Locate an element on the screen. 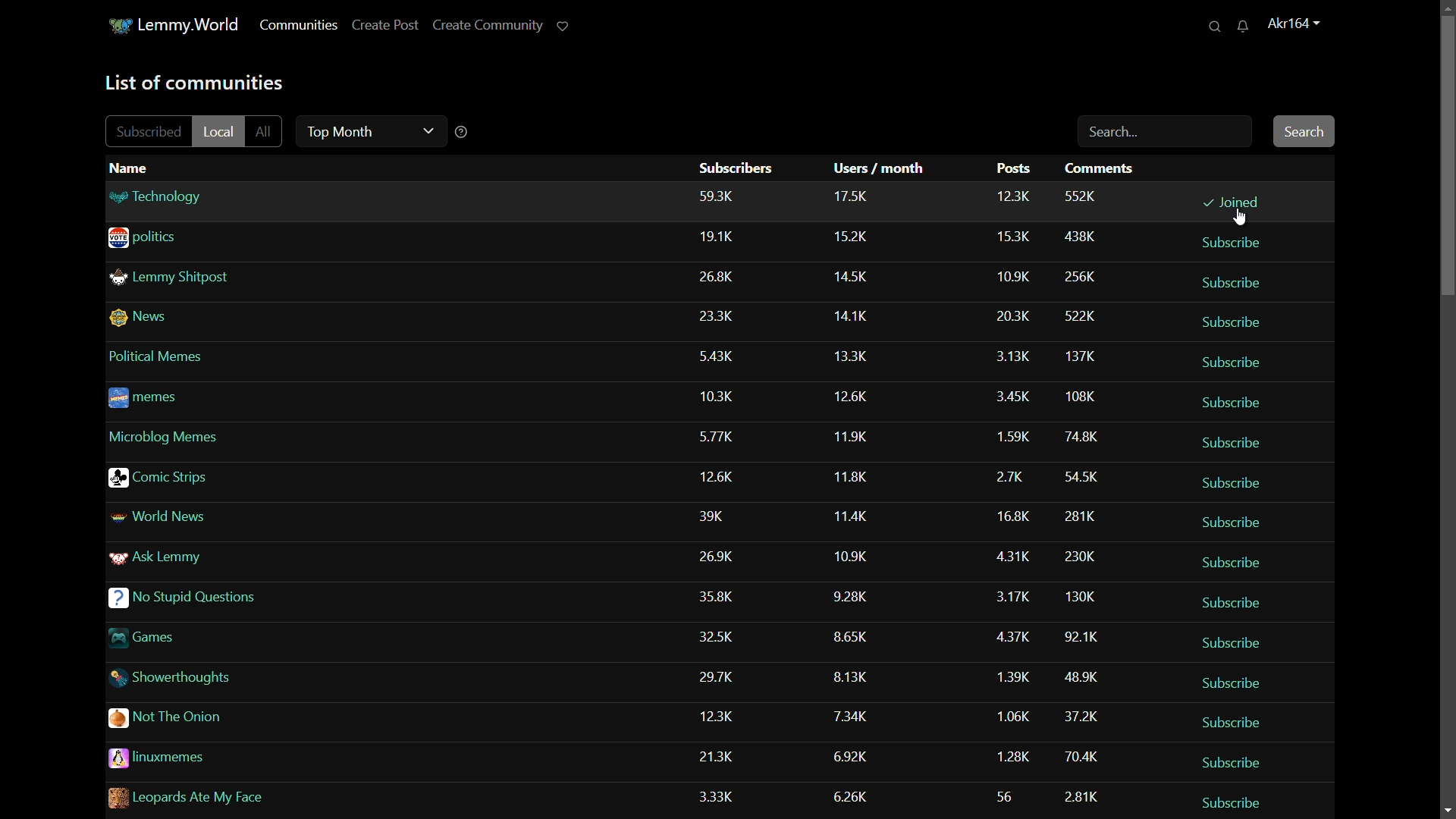 This screenshot has width=1456, height=819. subscribe/unsubscribe is located at coordinates (1241, 758).